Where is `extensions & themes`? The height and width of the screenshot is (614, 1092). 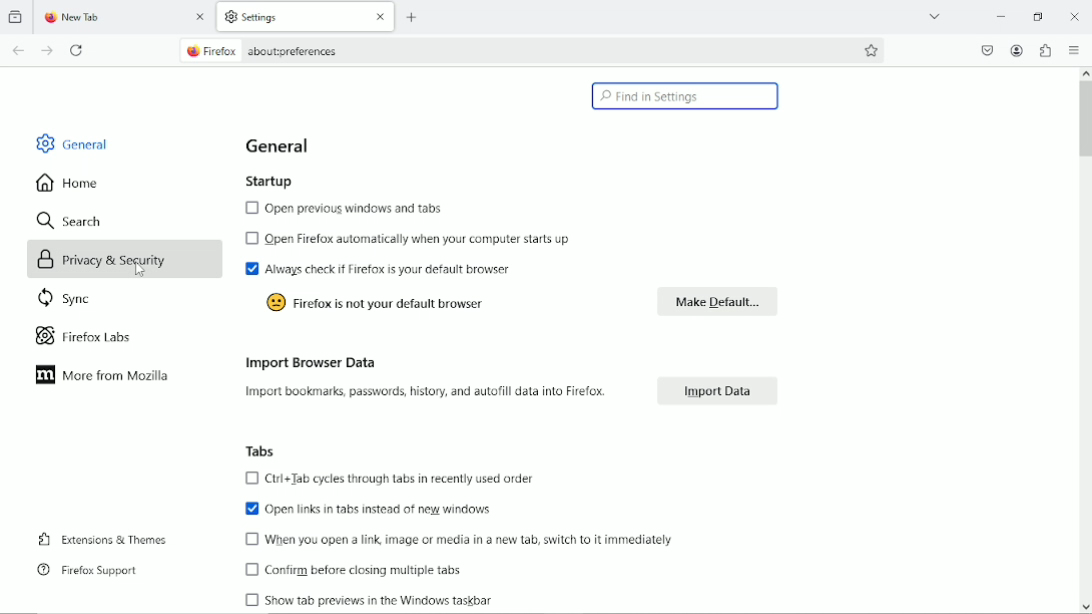
extensions & themes is located at coordinates (100, 538).